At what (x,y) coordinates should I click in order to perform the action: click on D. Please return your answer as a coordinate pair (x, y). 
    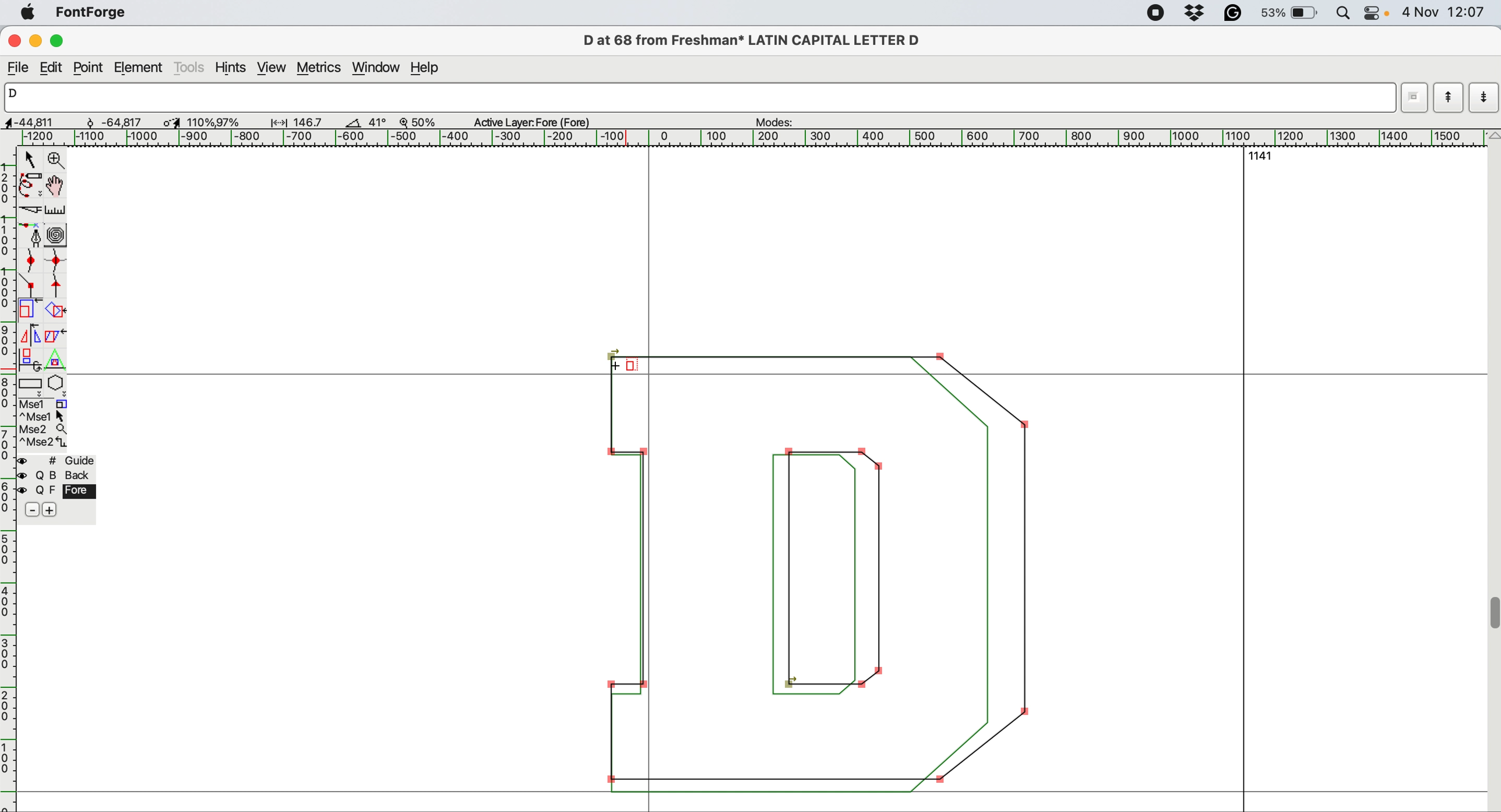
    Looking at the image, I should click on (692, 97).